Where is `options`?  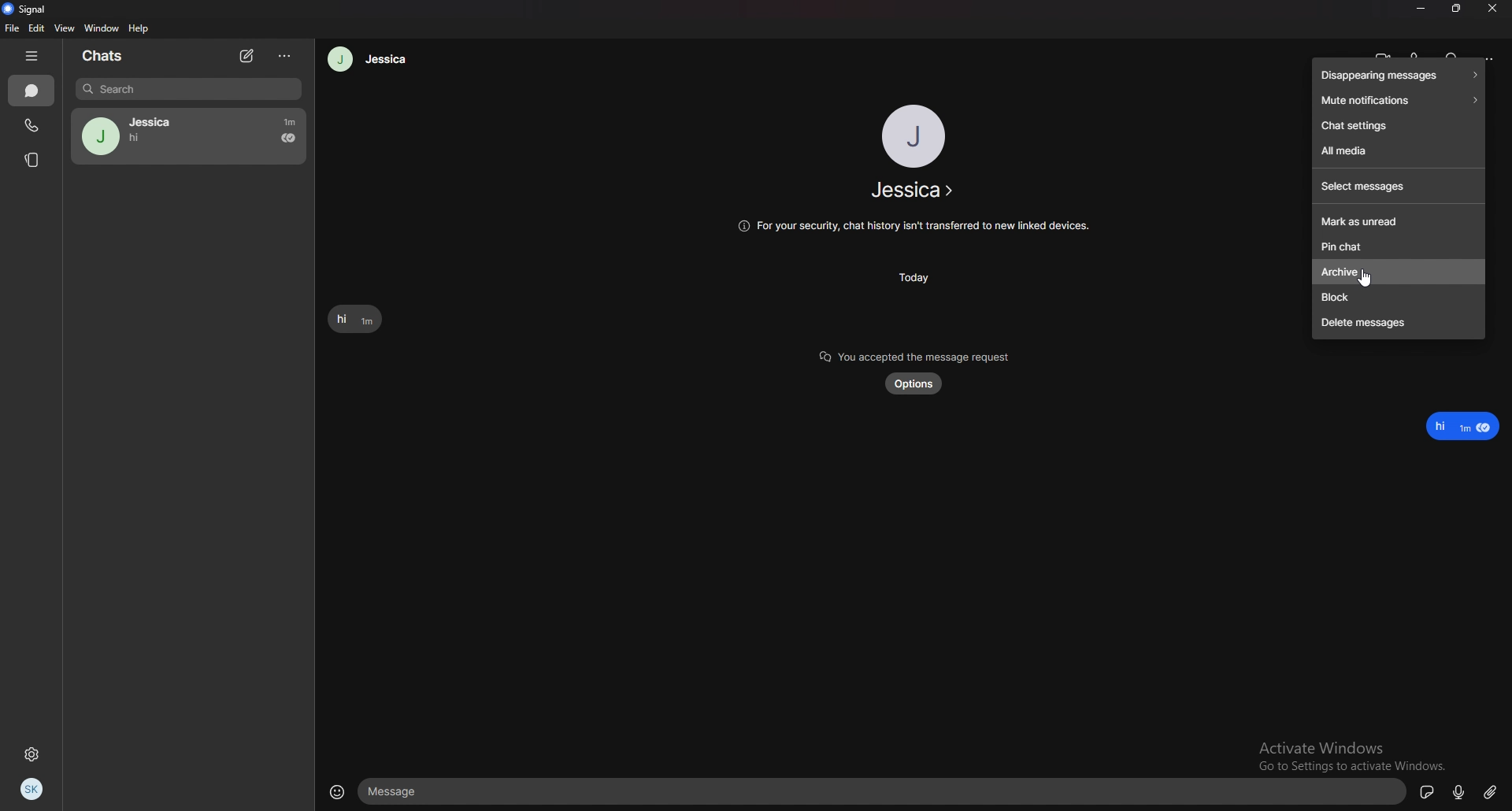 options is located at coordinates (1488, 56).